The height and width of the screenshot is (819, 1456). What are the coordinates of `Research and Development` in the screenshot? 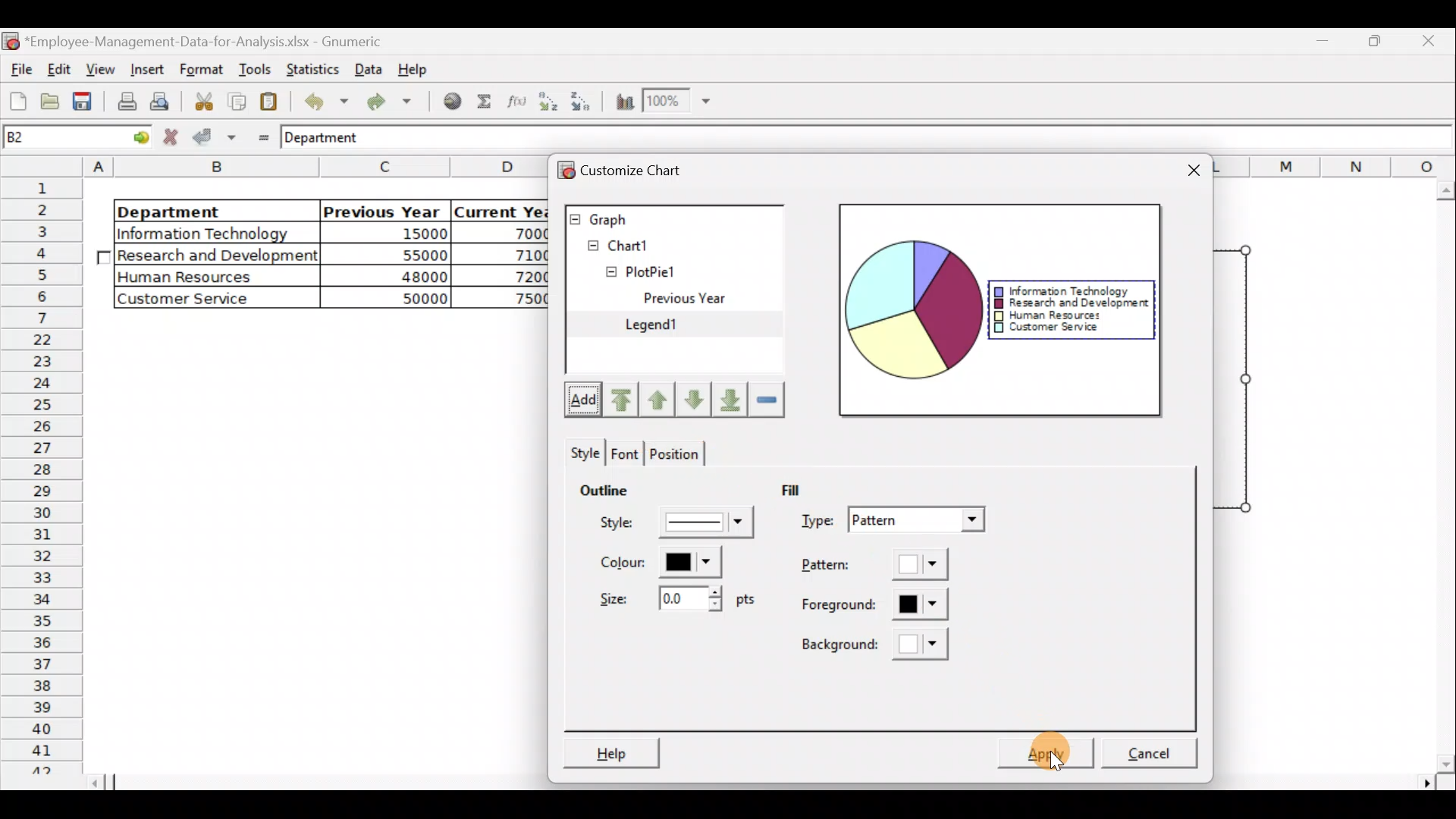 It's located at (218, 257).